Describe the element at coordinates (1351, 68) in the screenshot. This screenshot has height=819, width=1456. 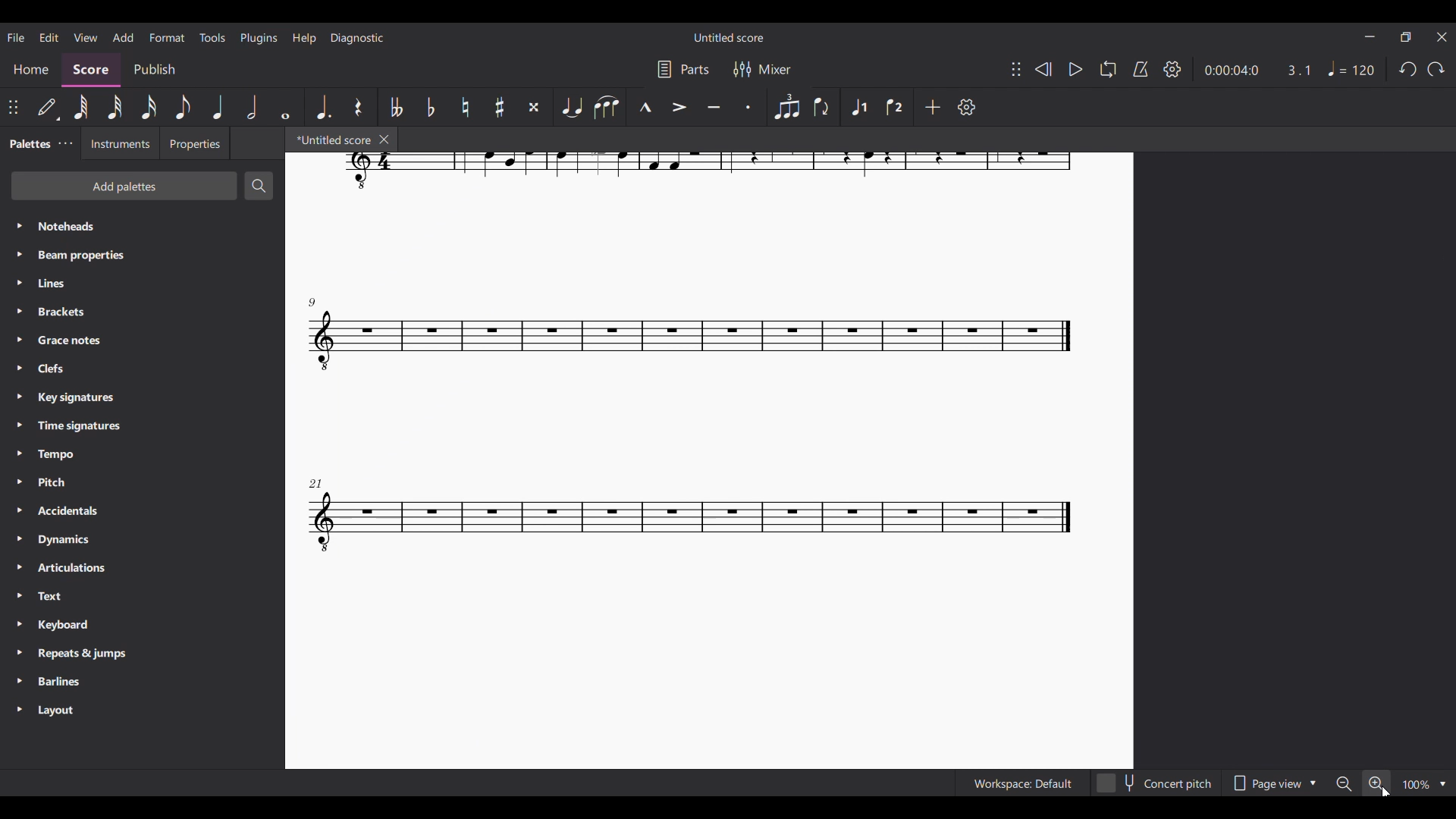
I see `Tempo` at that location.